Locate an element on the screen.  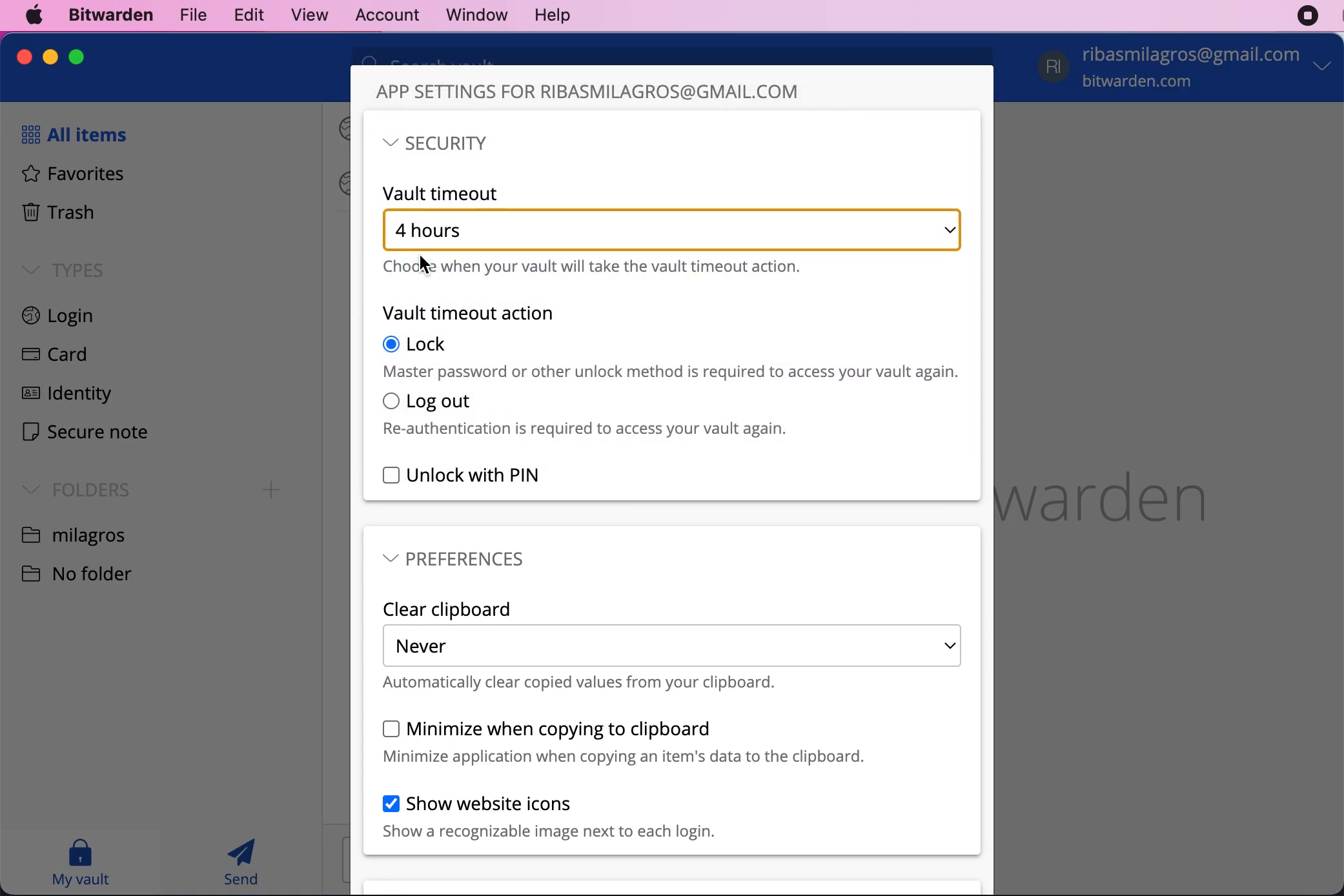
folders is located at coordinates (72, 488).